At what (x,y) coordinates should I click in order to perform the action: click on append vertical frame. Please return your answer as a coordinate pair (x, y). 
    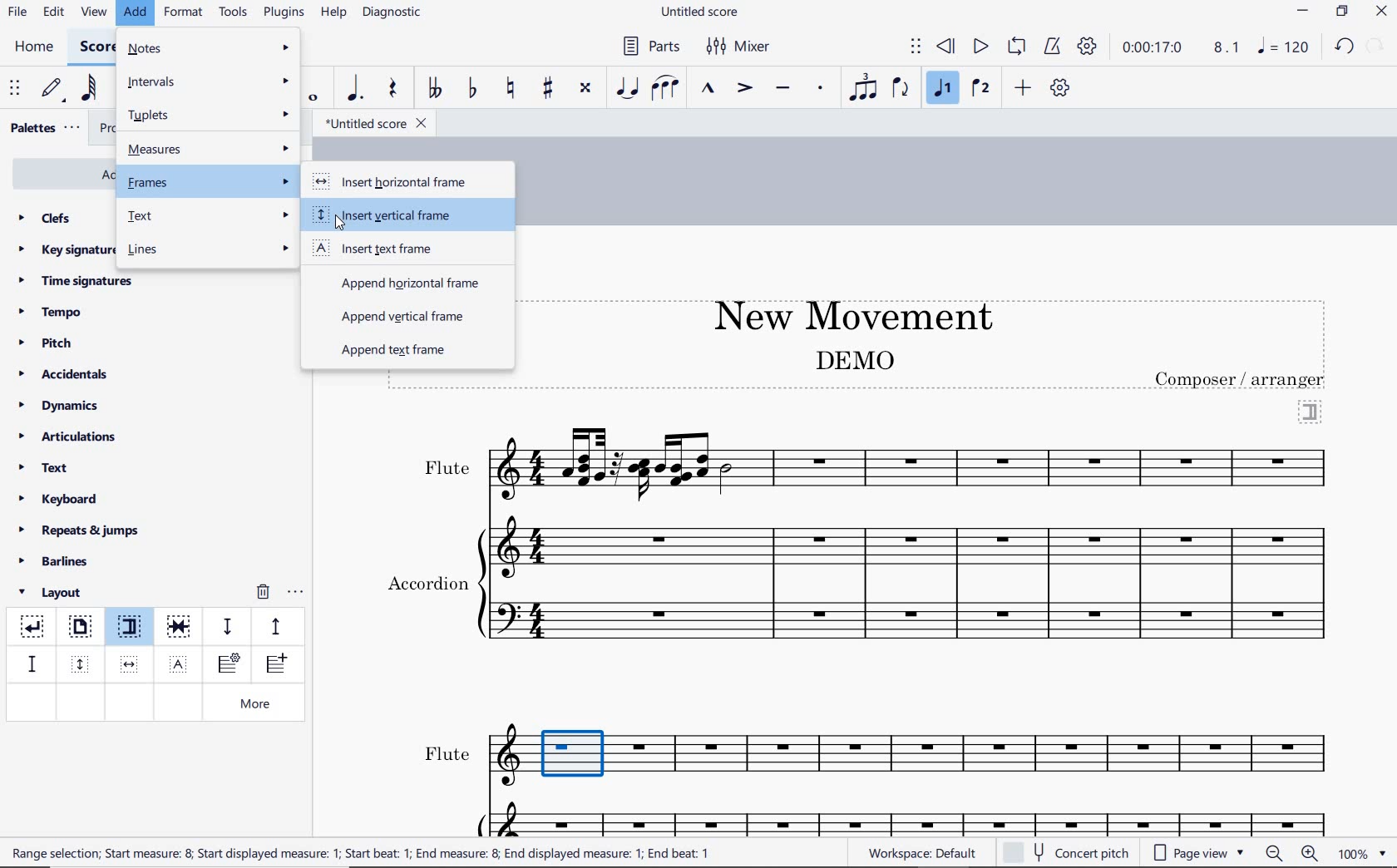
    Looking at the image, I should click on (410, 318).